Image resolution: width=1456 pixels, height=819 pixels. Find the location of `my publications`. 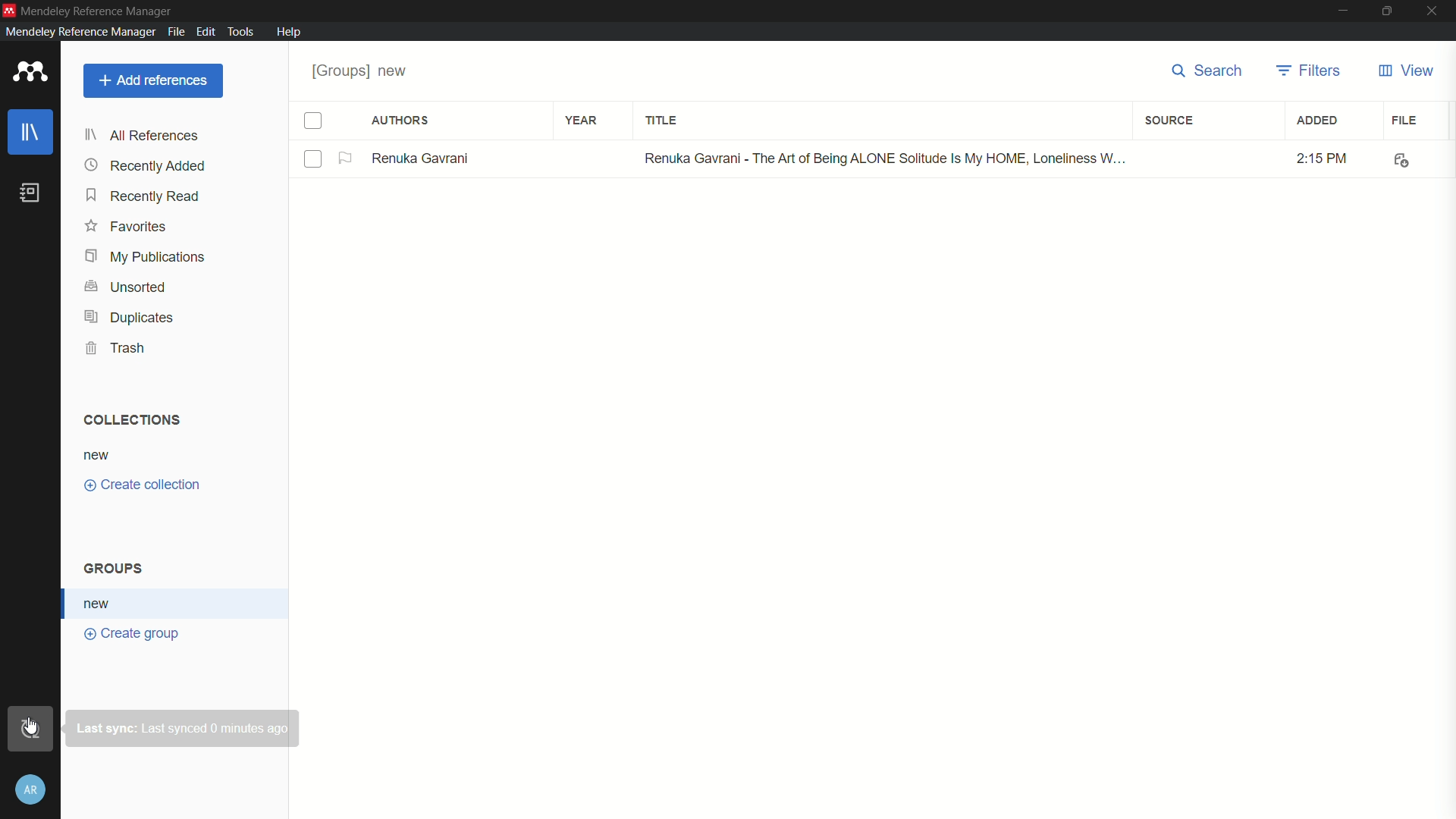

my publications is located at coordinates (145, 256).